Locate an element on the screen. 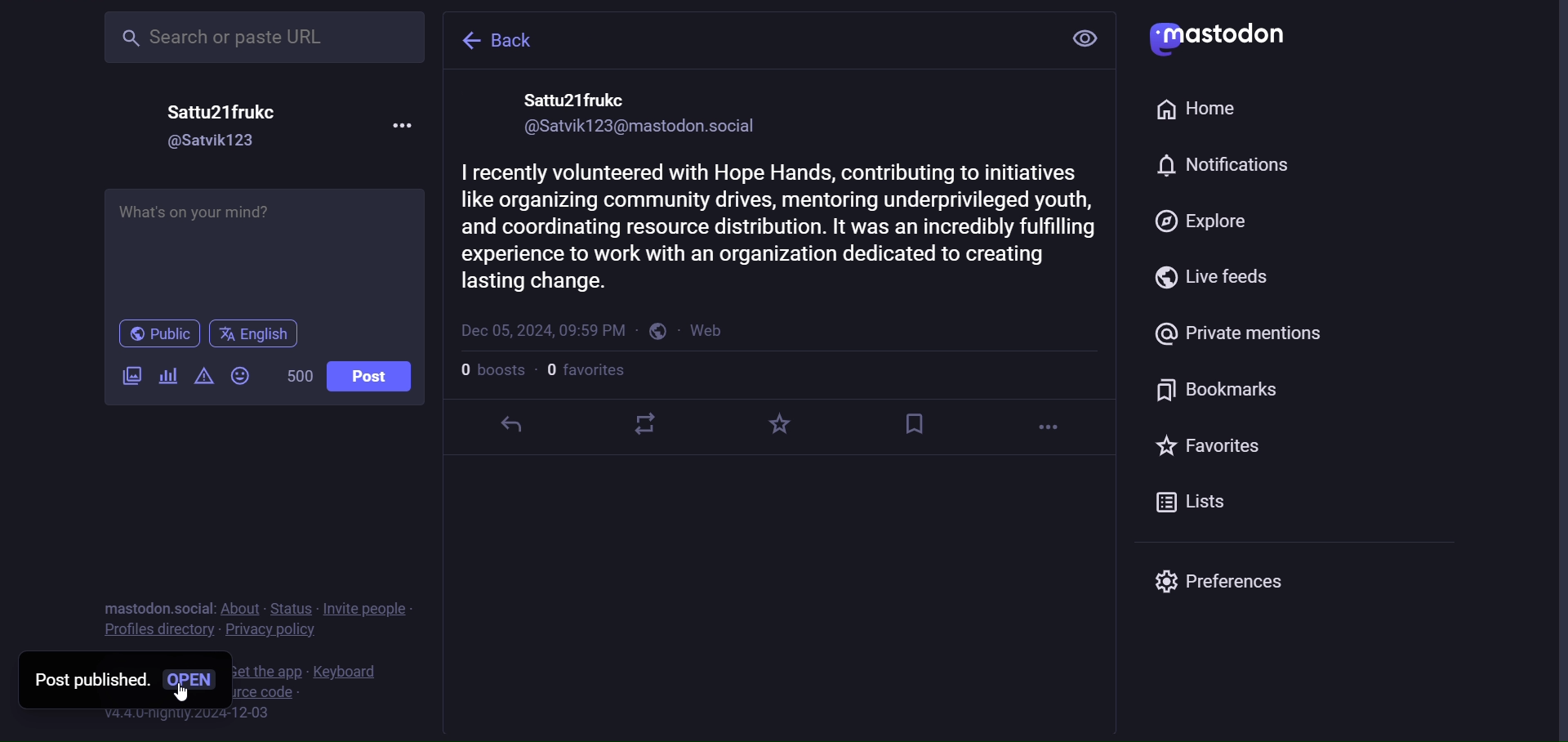  word limit is located at coordinates (299, 377).